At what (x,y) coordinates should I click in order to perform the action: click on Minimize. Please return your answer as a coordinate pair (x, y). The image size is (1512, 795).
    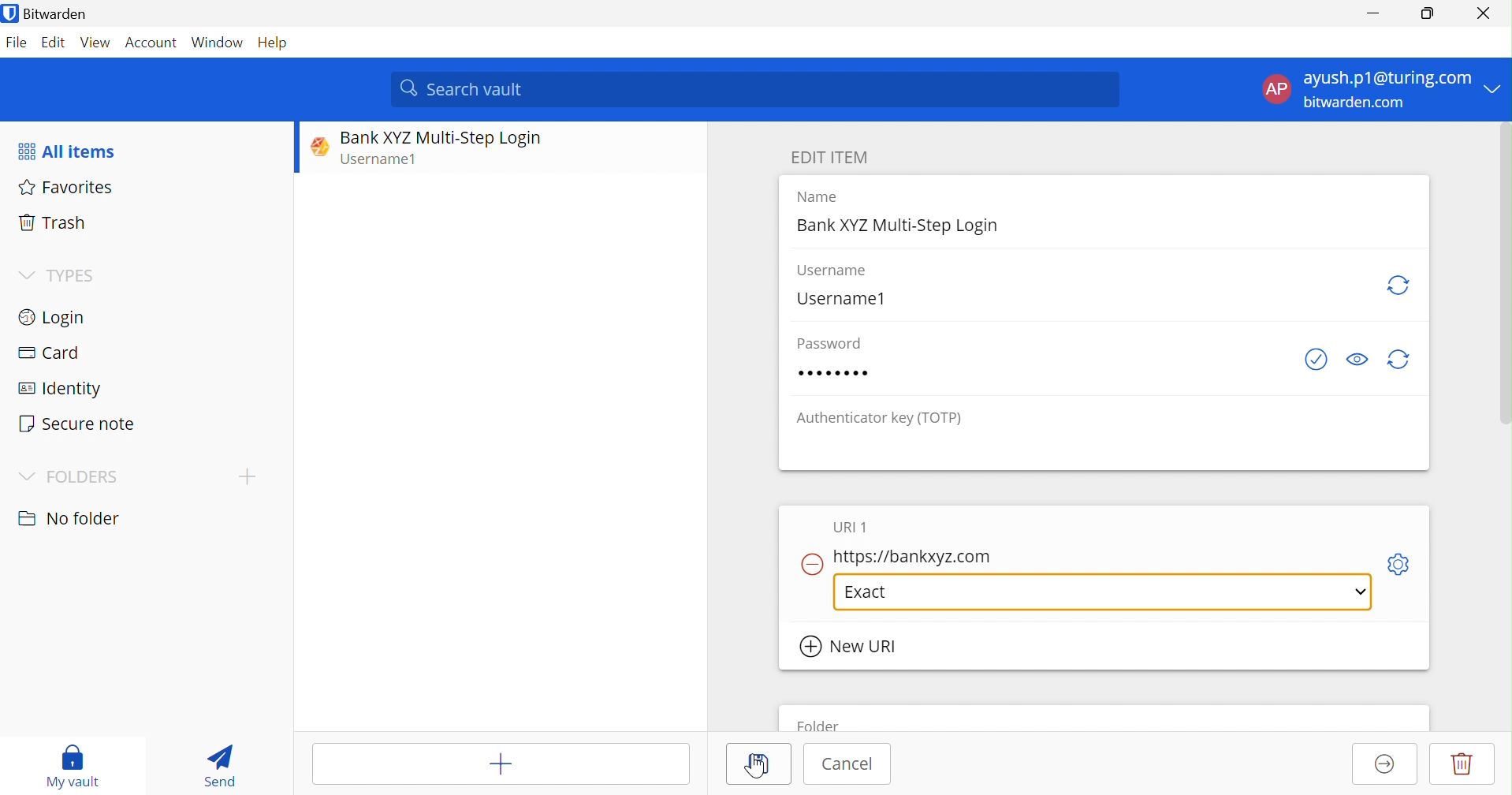
    Looking at the image, I should click on (1371, 15).